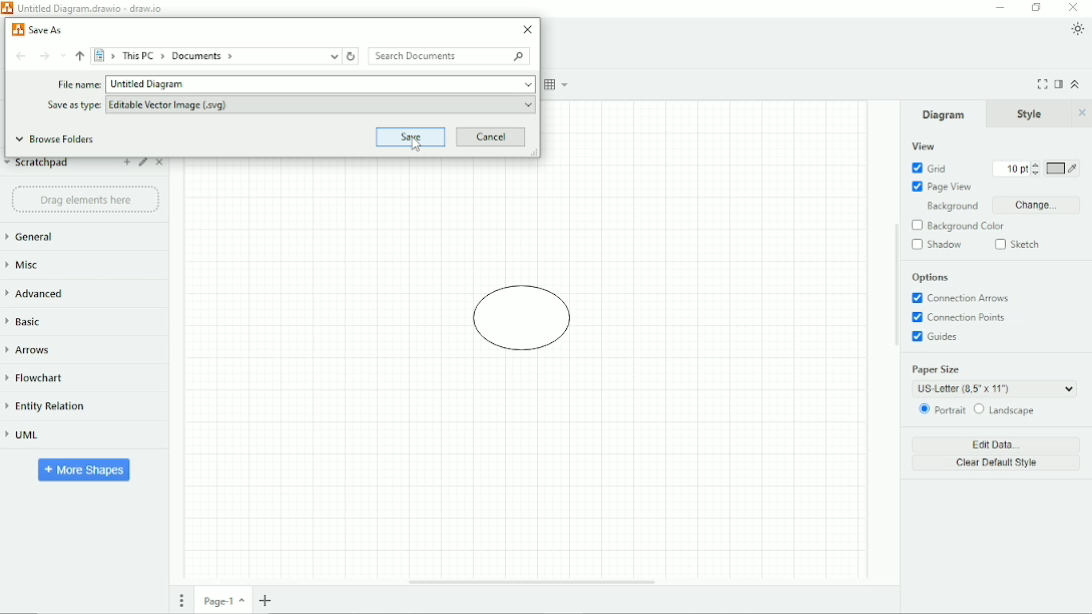 The image size is (1092, 614). I want to click on Save as type: Editable Vector Image (.svg), so click(293, 104).